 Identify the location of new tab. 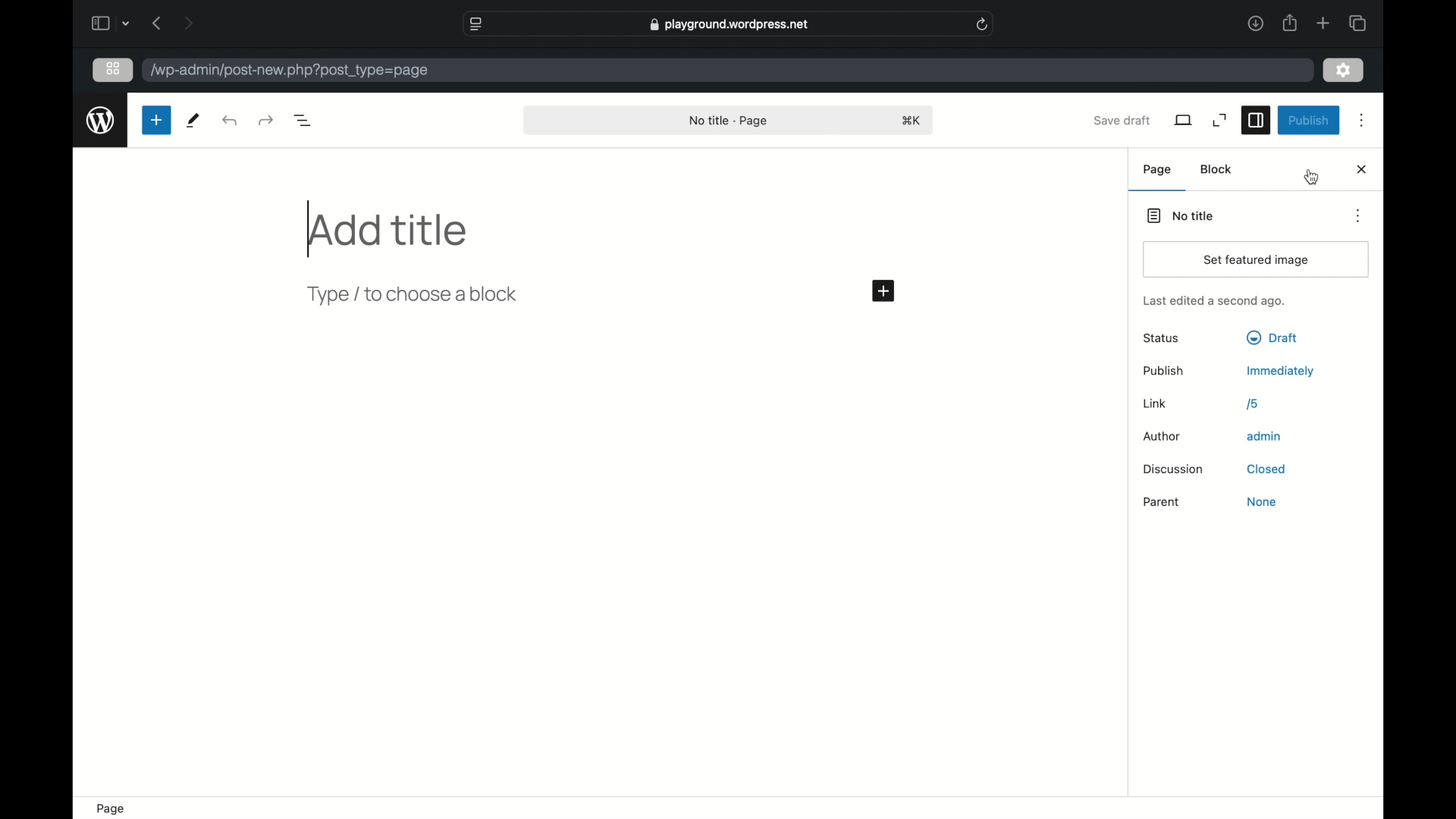
(1324, 24).